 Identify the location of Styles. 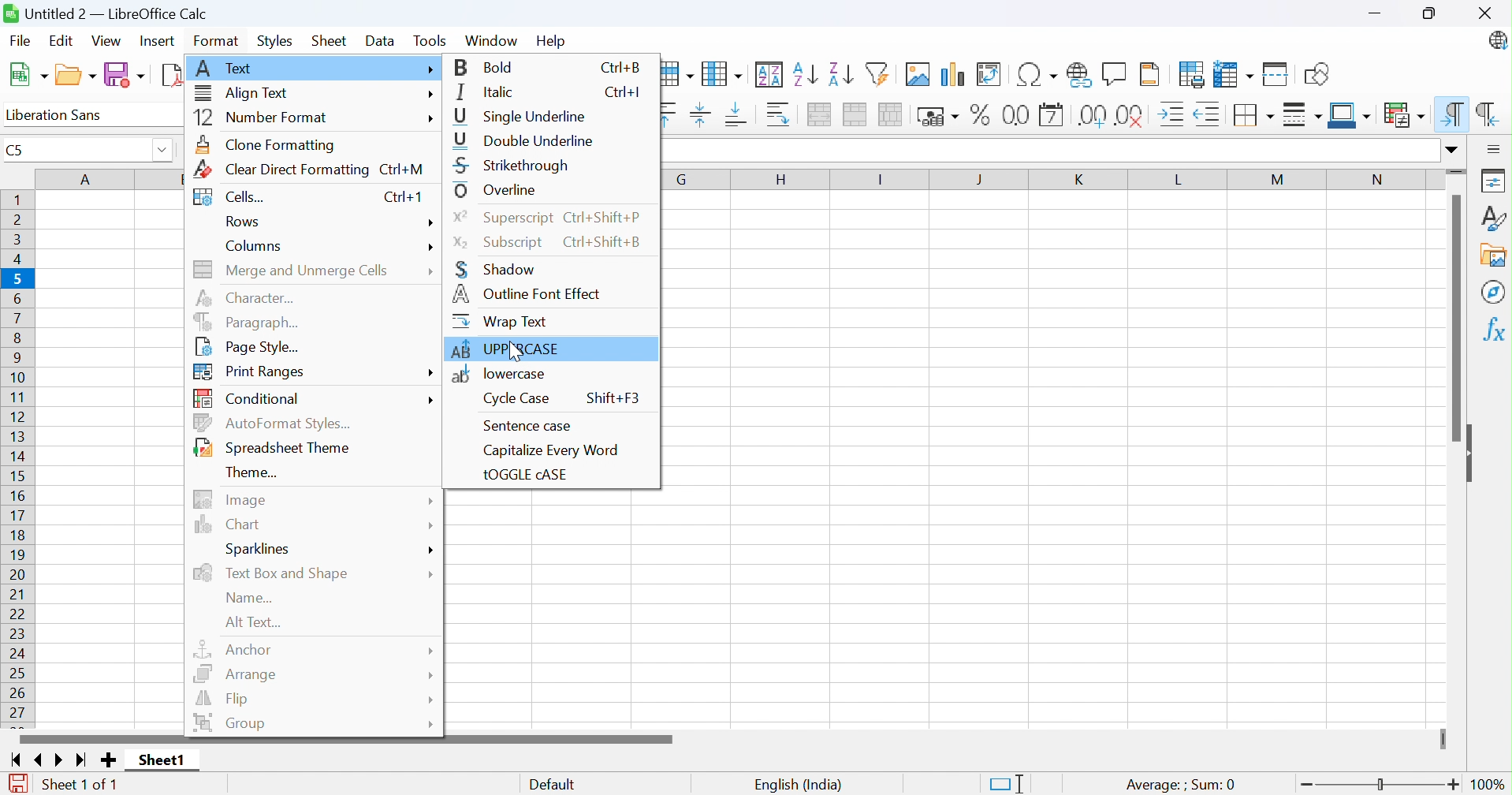
(275, 42).